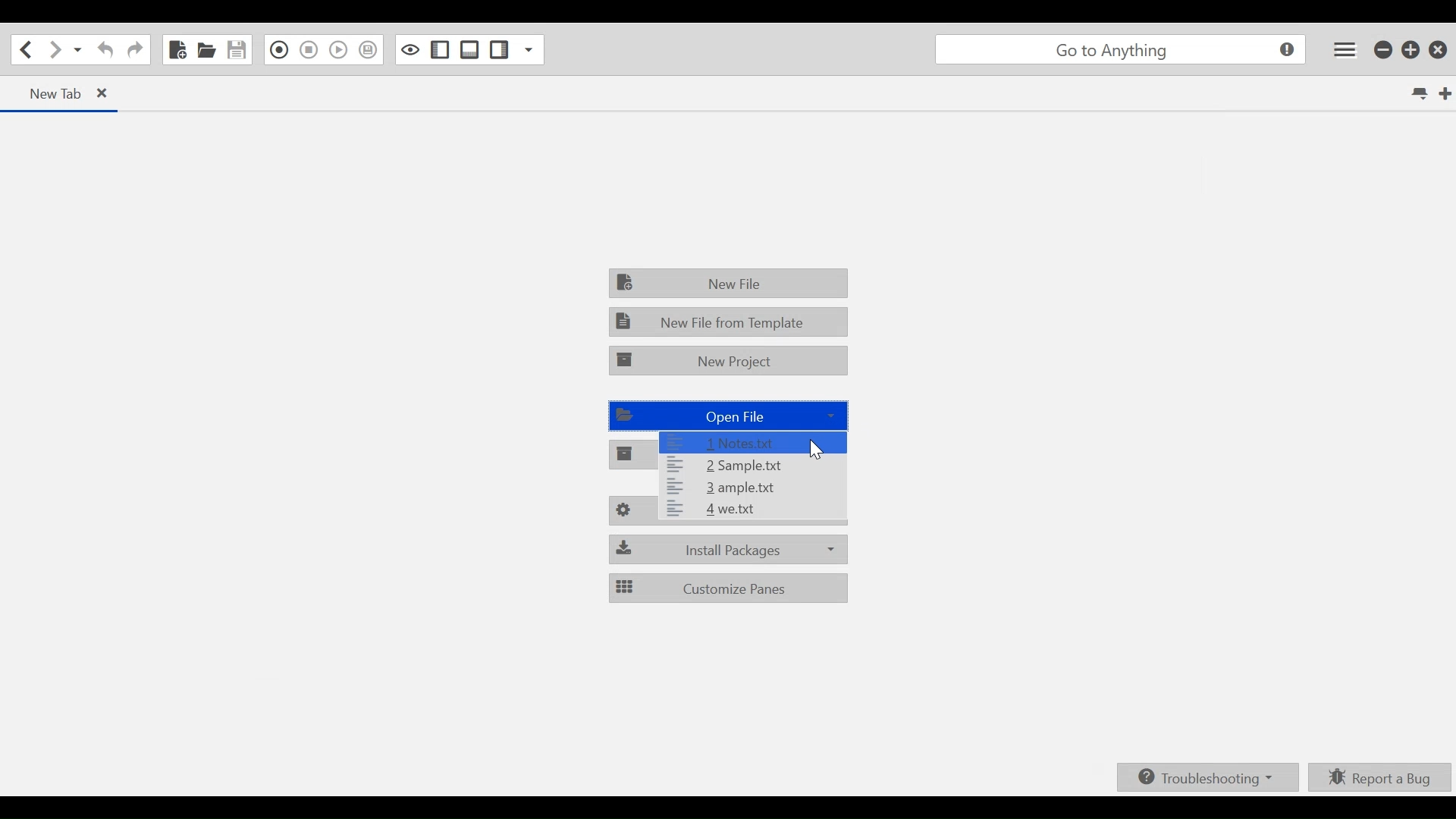 This screenshot has width=1456, height=819. I want to click on Show specific Sidepane, so click(530, 49).